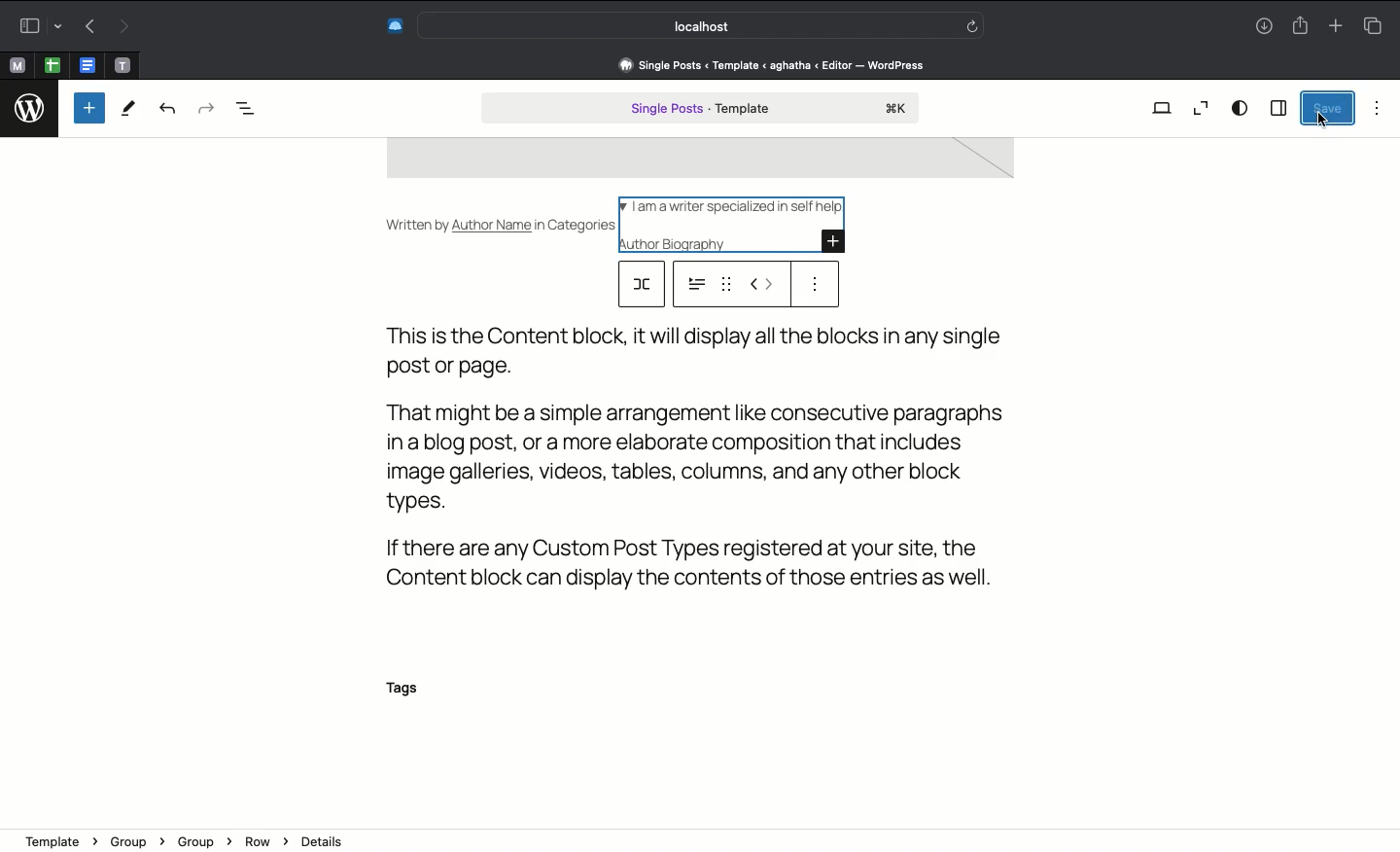 Image resolution: width=1400 pixels, height=852 pixels. What do you see at coordinates (204, 107) in the screenshot?
I see `Redo` at bounding box center [204, 107].